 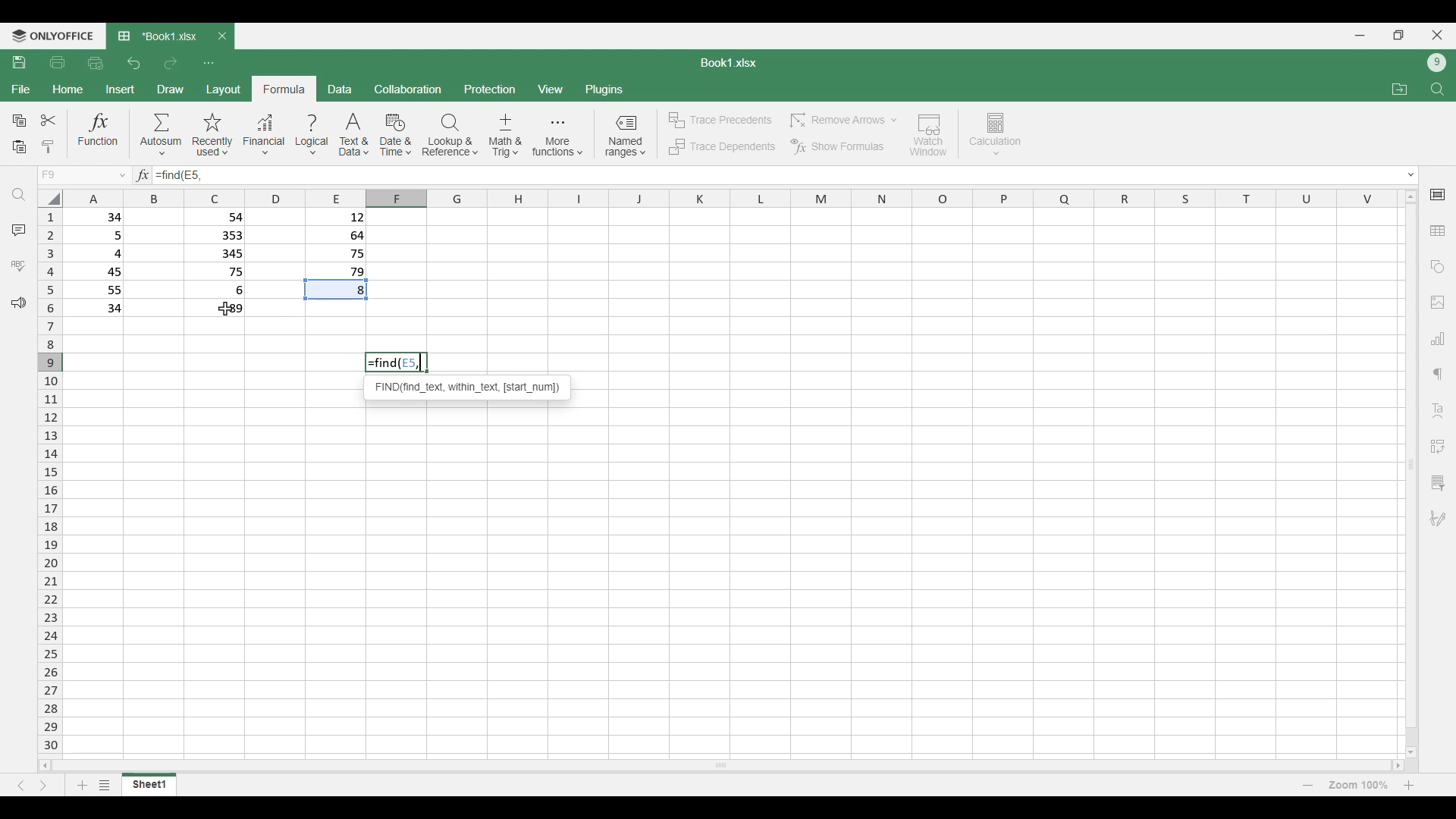 I want to click on Named ranges, so click(x=625, y=136).